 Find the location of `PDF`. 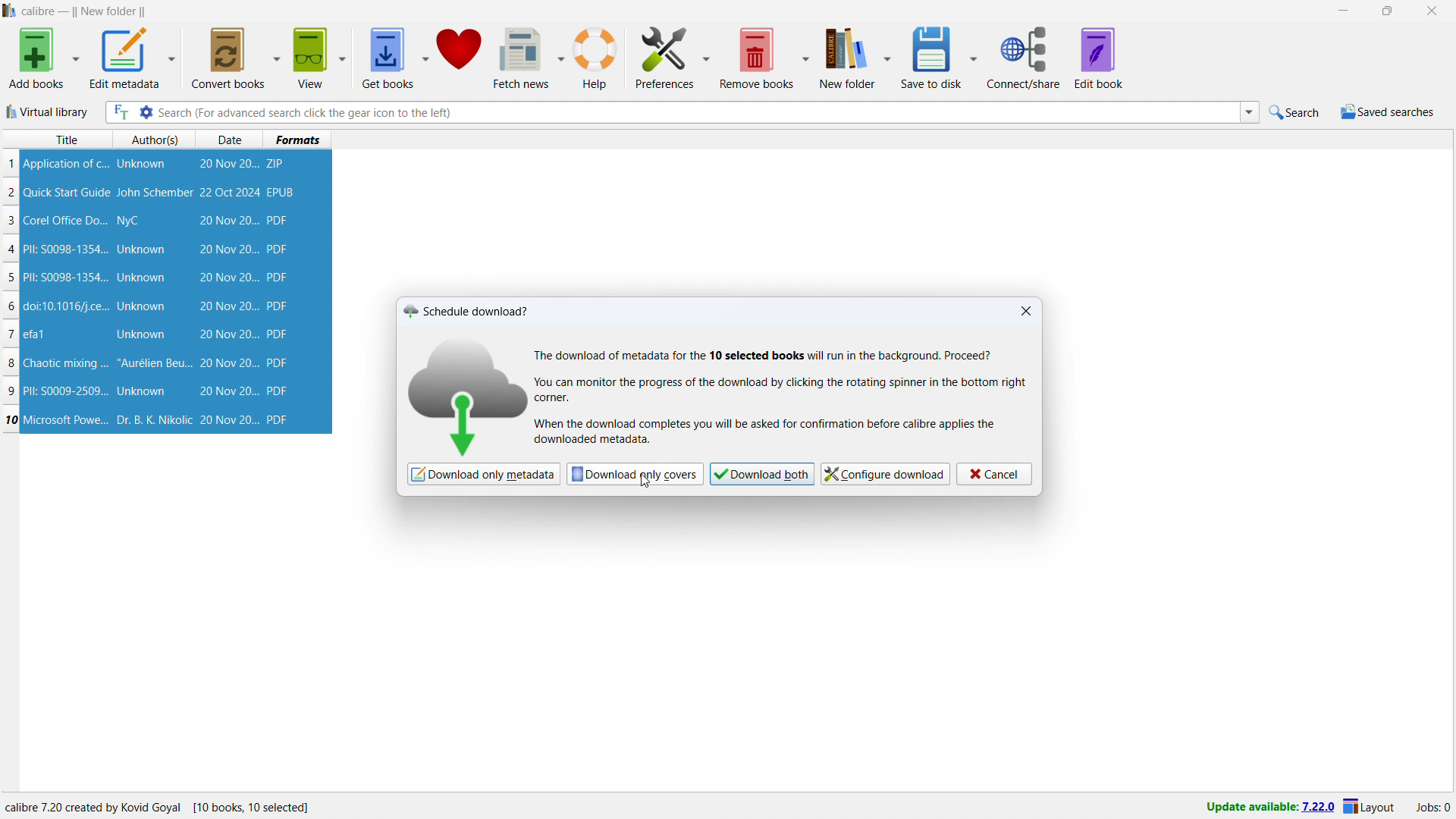

PDF is located at coordinates (283, 419).